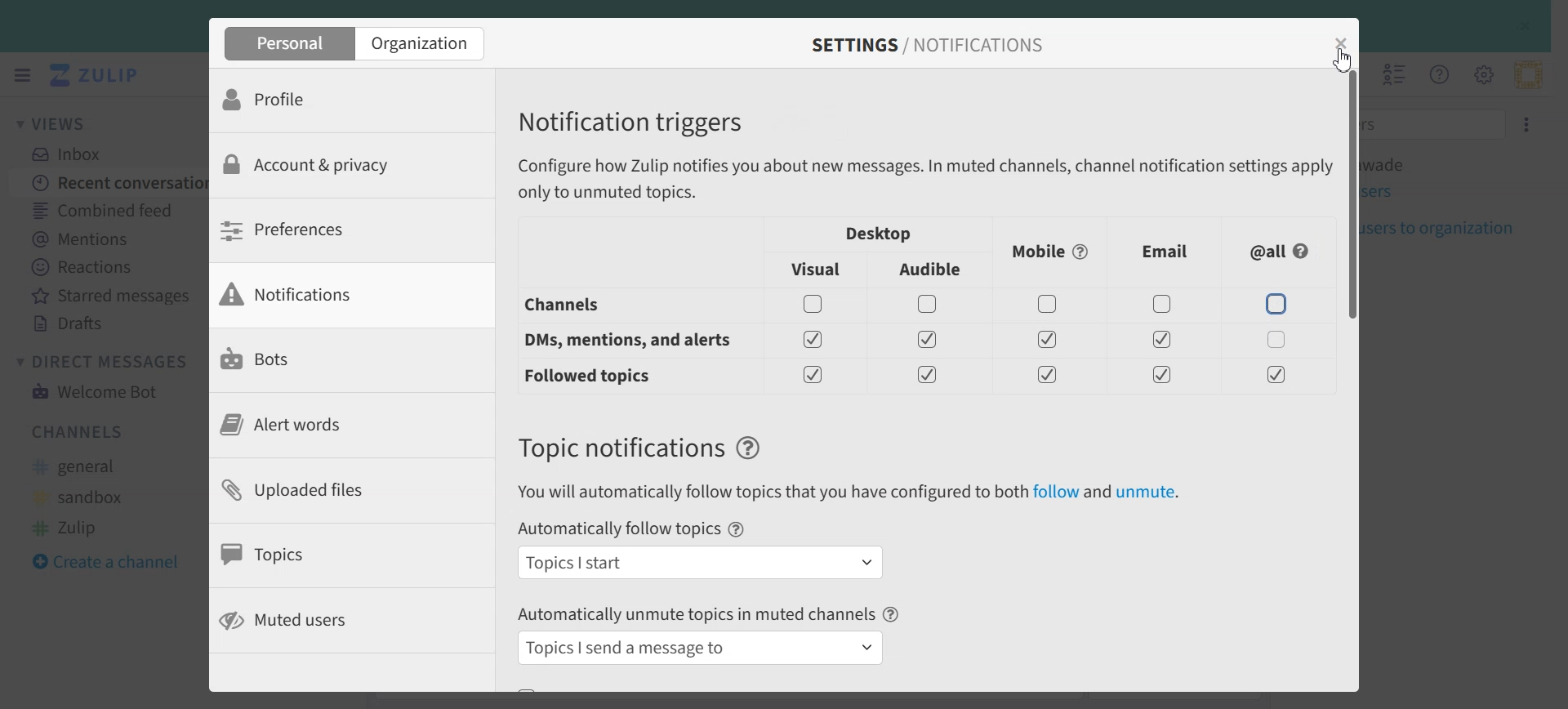 The width and height of the screenshot is (1568, 709). Describe the element at coordinates (95, 390) in the screenshot. I see `Welcome Bot` at that location.